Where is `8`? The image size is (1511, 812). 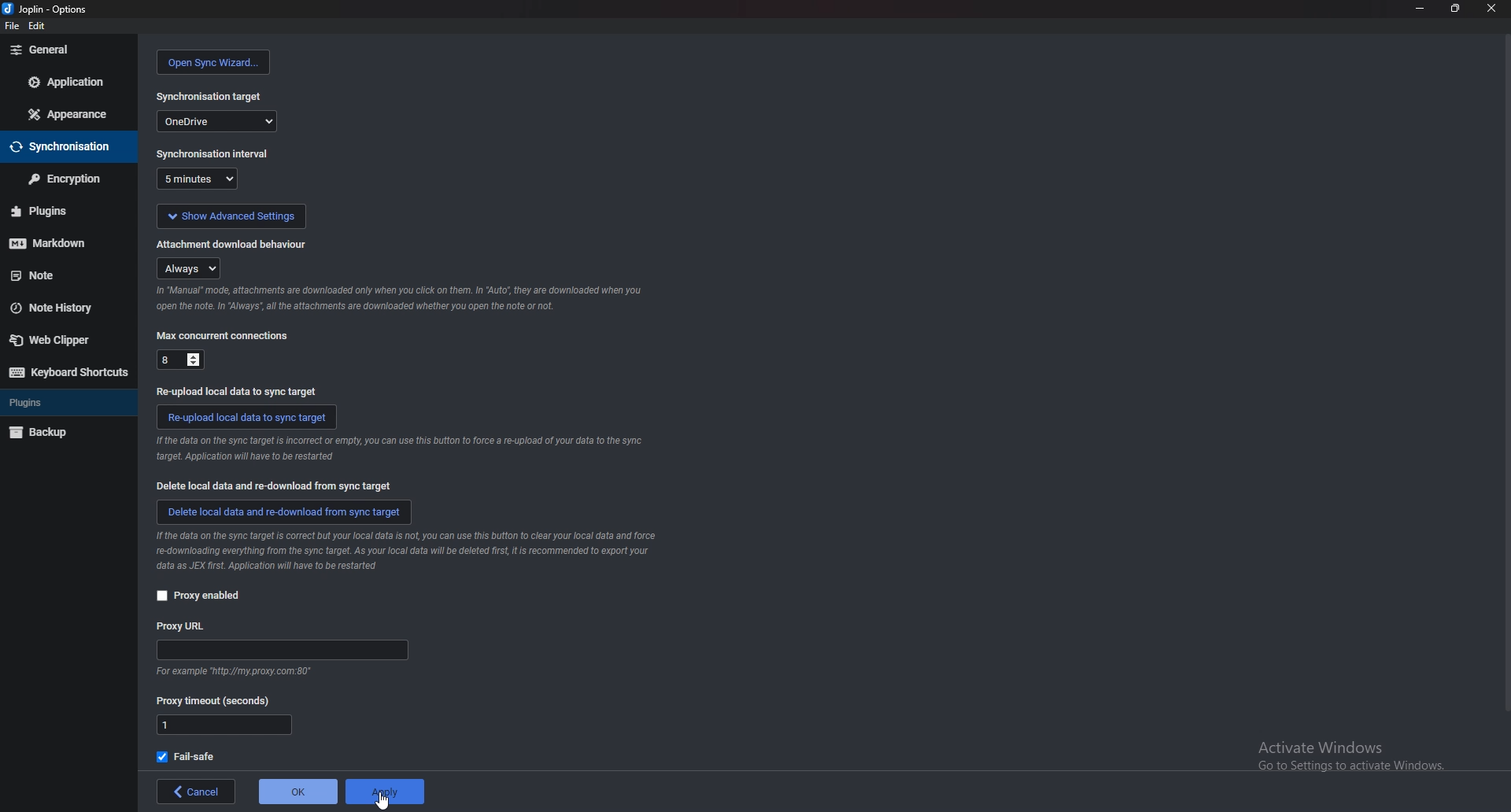 8 is located at coordinates (180, 358).